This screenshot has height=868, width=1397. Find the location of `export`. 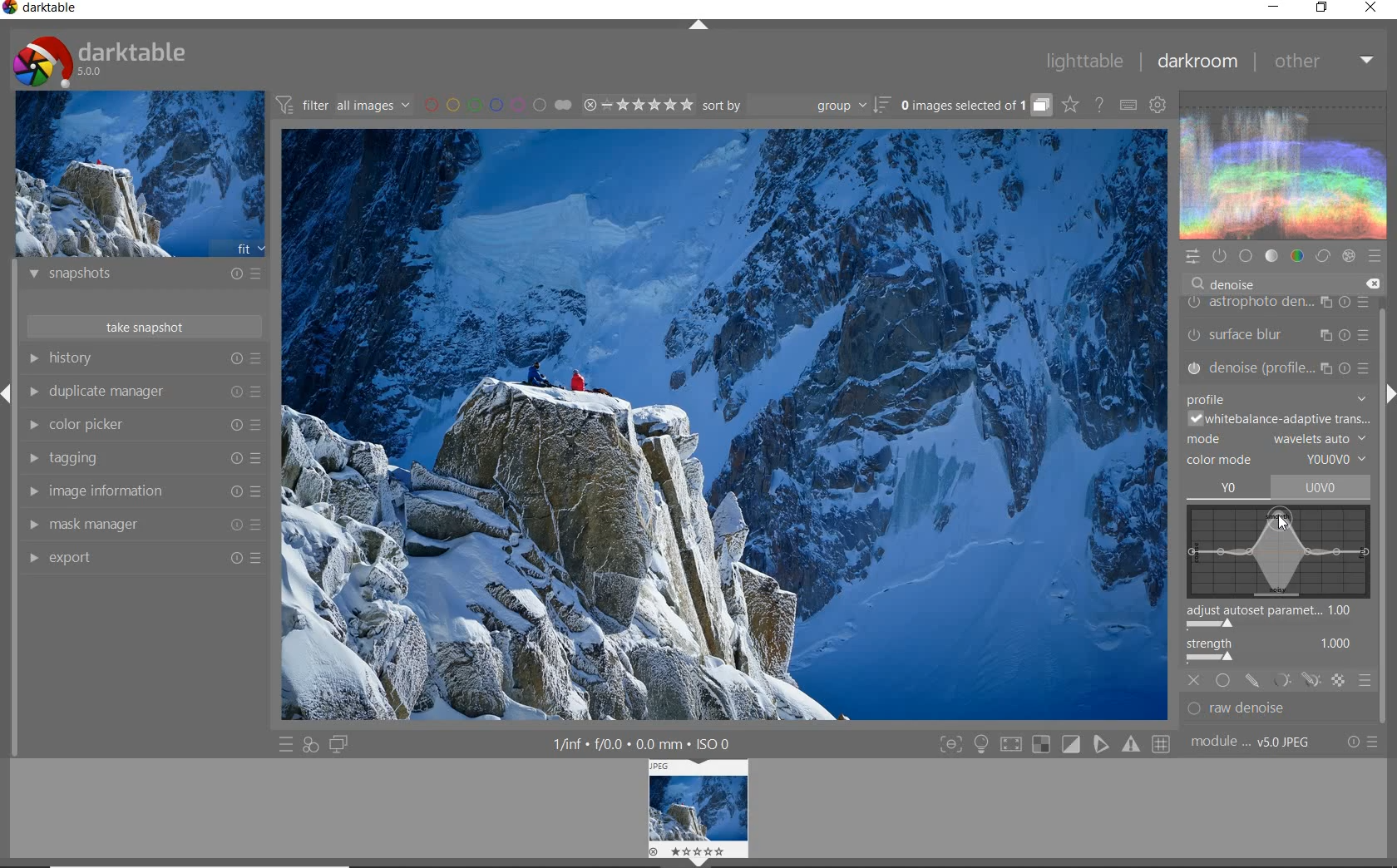

export is located at coordinates (141, 557).